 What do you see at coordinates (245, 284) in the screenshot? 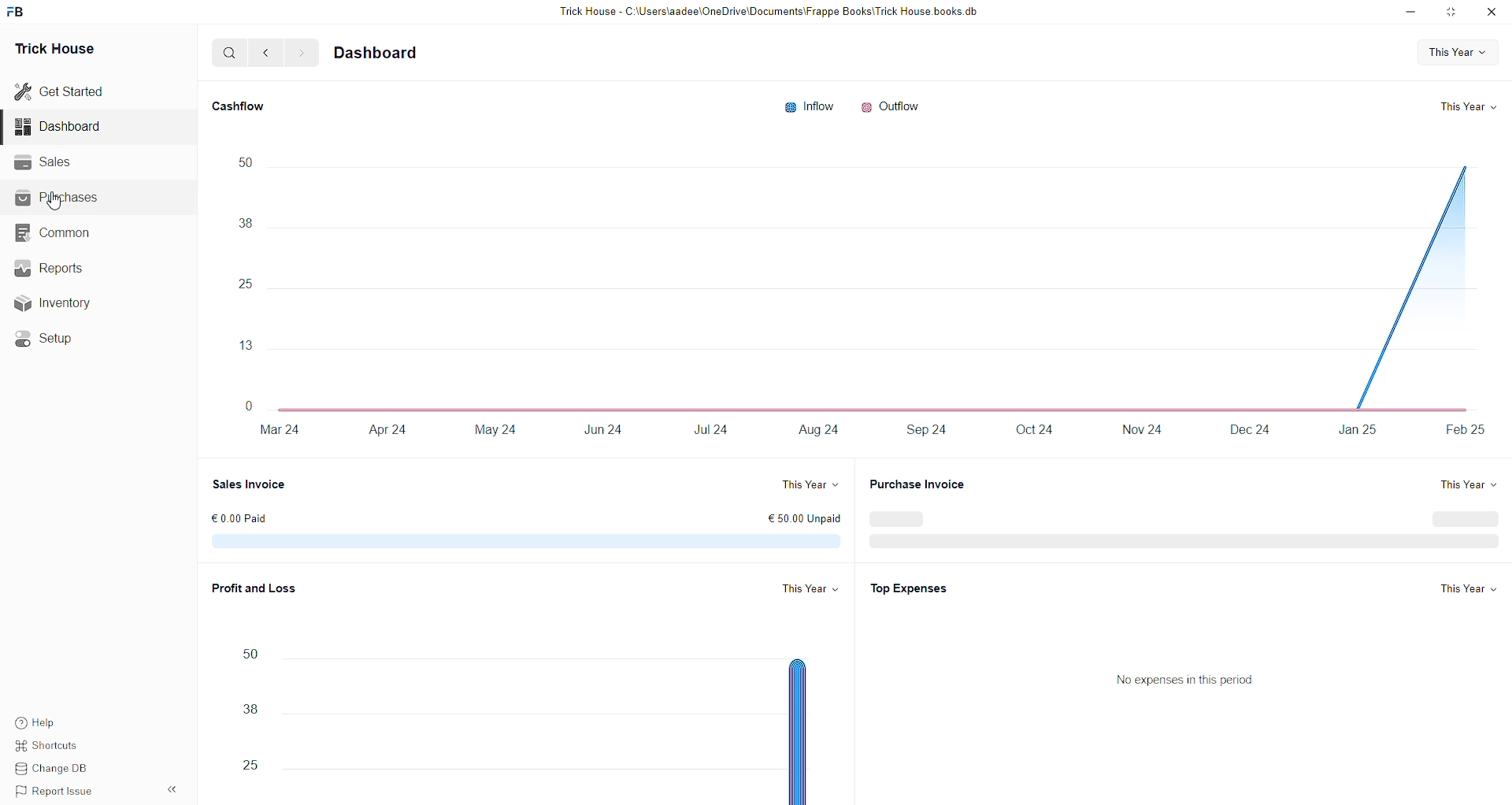
I see `25` at bounding box center [245, 284].